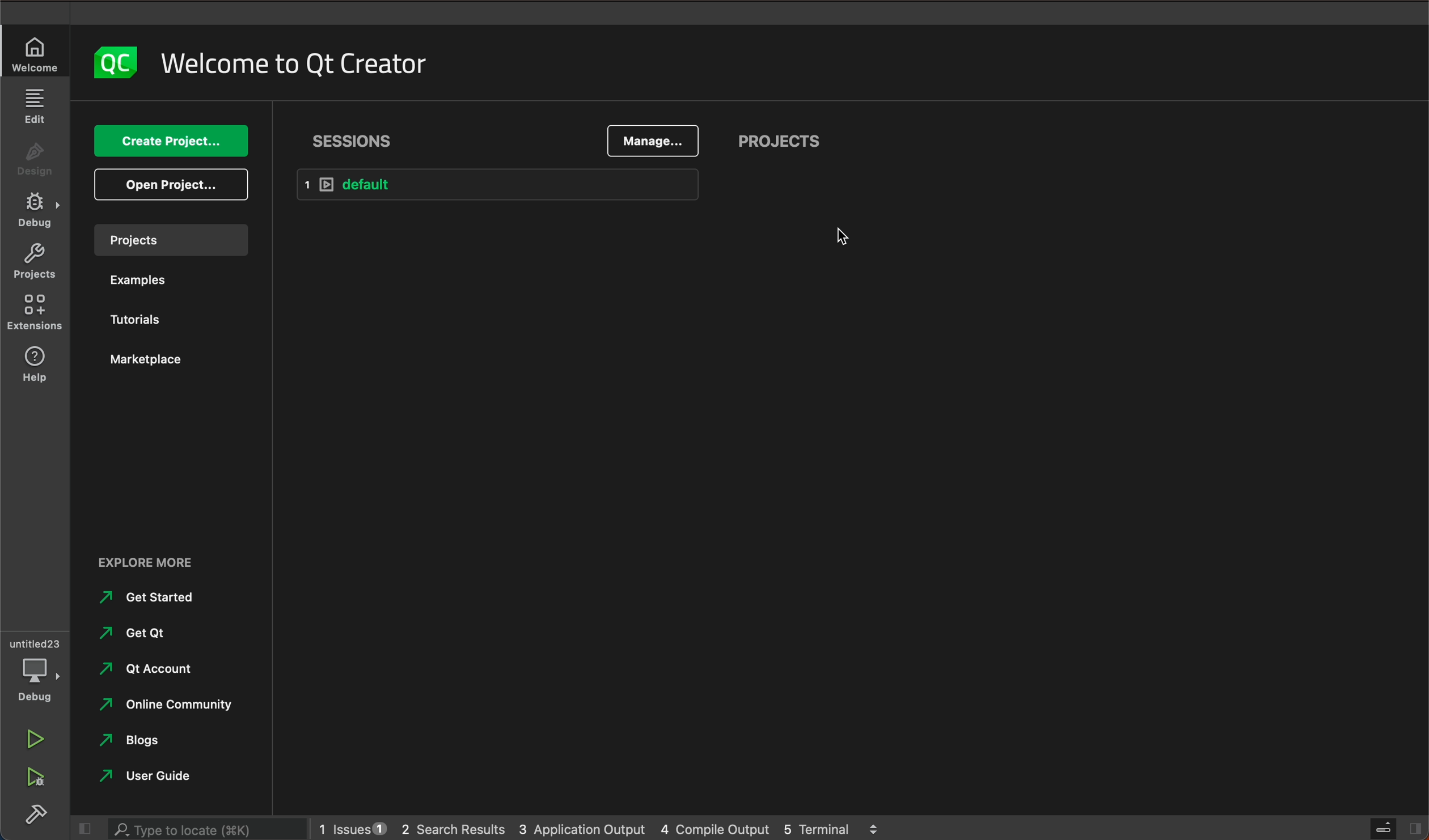 The width and height of the screenshot is (1429, 840). Describe the element at coordinates (784, 142) in the screenshot. I see `project` at that location.